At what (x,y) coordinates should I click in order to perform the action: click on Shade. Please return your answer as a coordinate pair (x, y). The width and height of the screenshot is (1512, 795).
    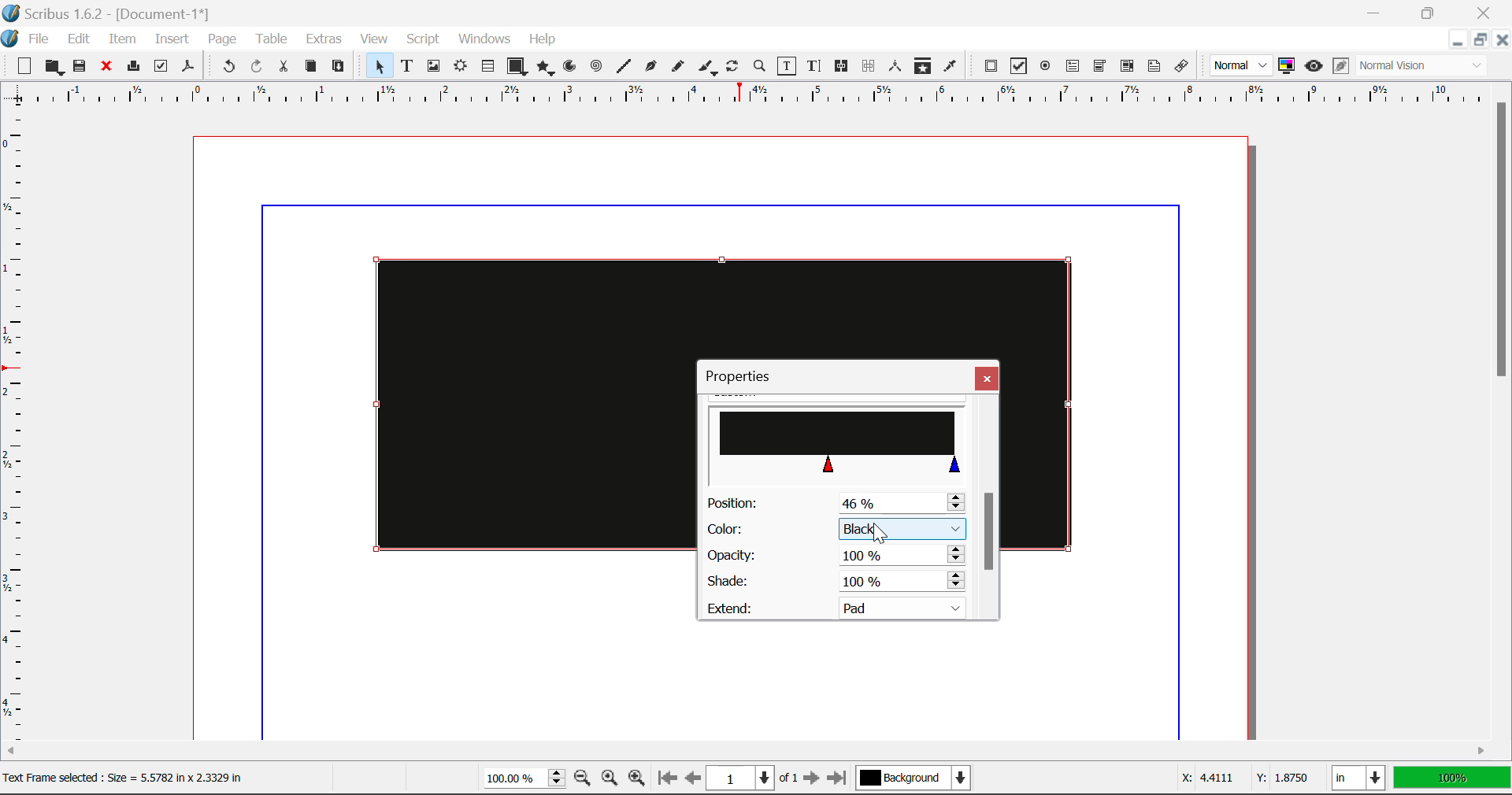
    Looking at the image, I should click on (833, 582).